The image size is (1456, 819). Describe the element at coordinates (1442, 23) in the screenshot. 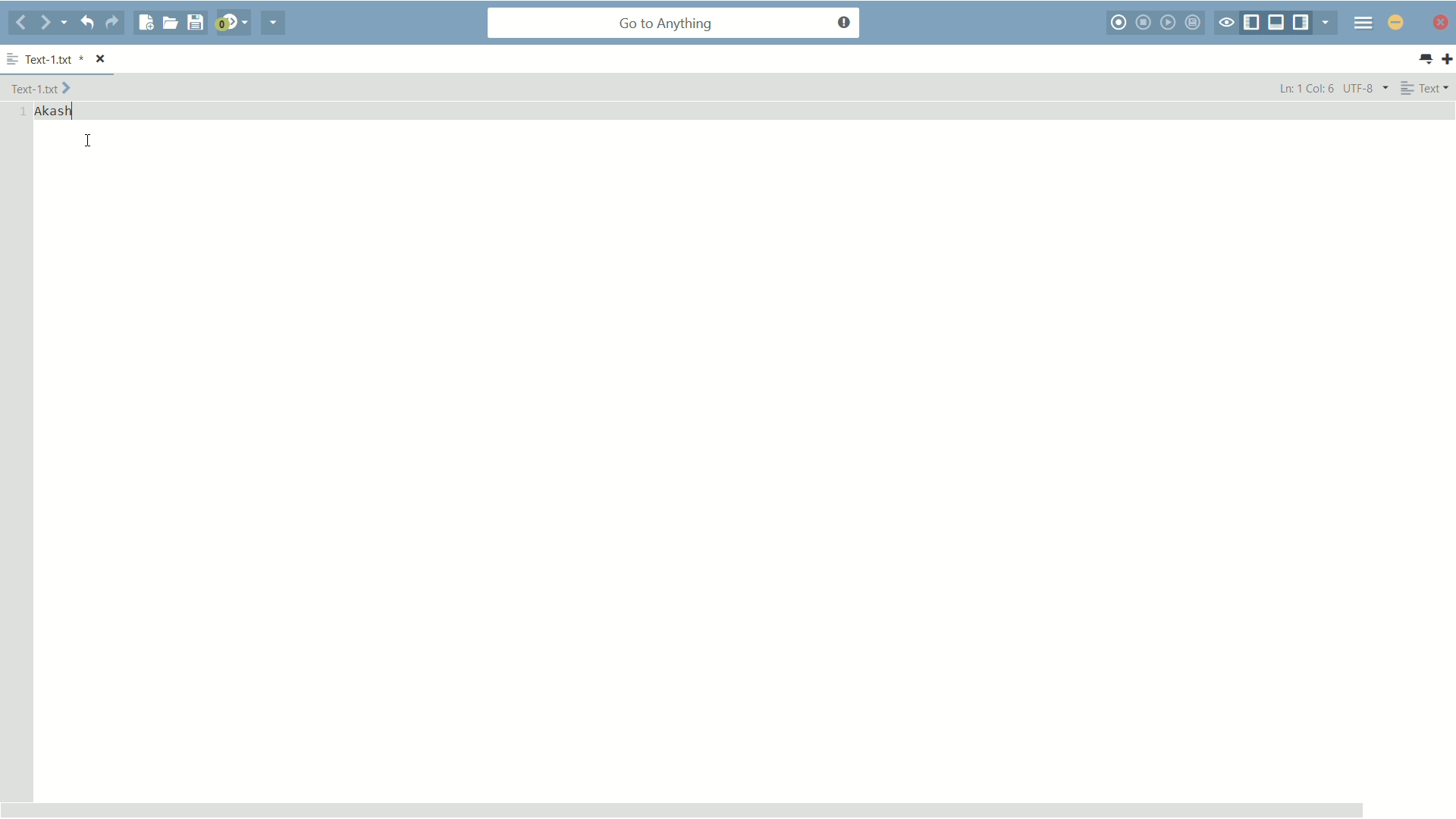

I see `close app` at that location.